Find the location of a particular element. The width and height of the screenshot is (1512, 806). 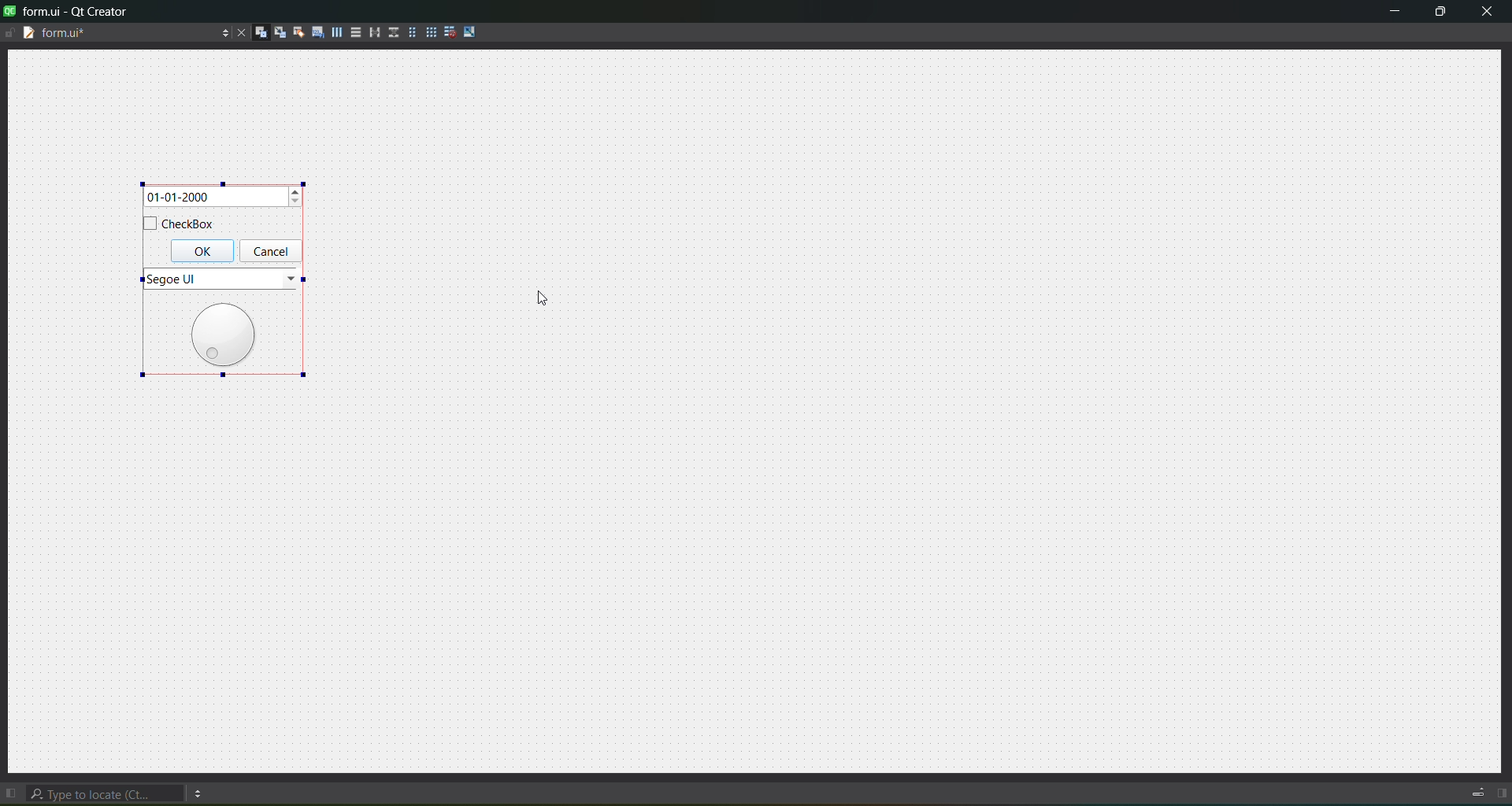

layout in a grid is located at coordinates (430, 31).